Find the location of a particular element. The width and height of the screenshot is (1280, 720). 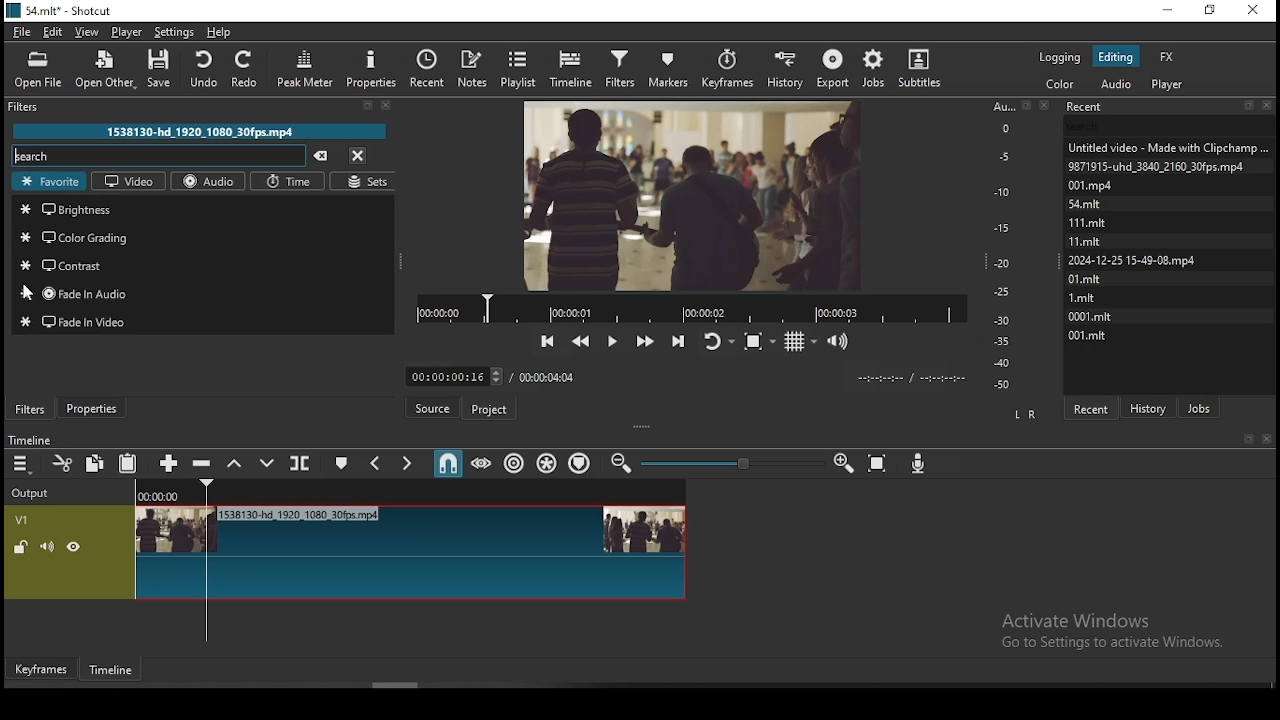

zoom timeline to fit is located at coordinates (879, 464).